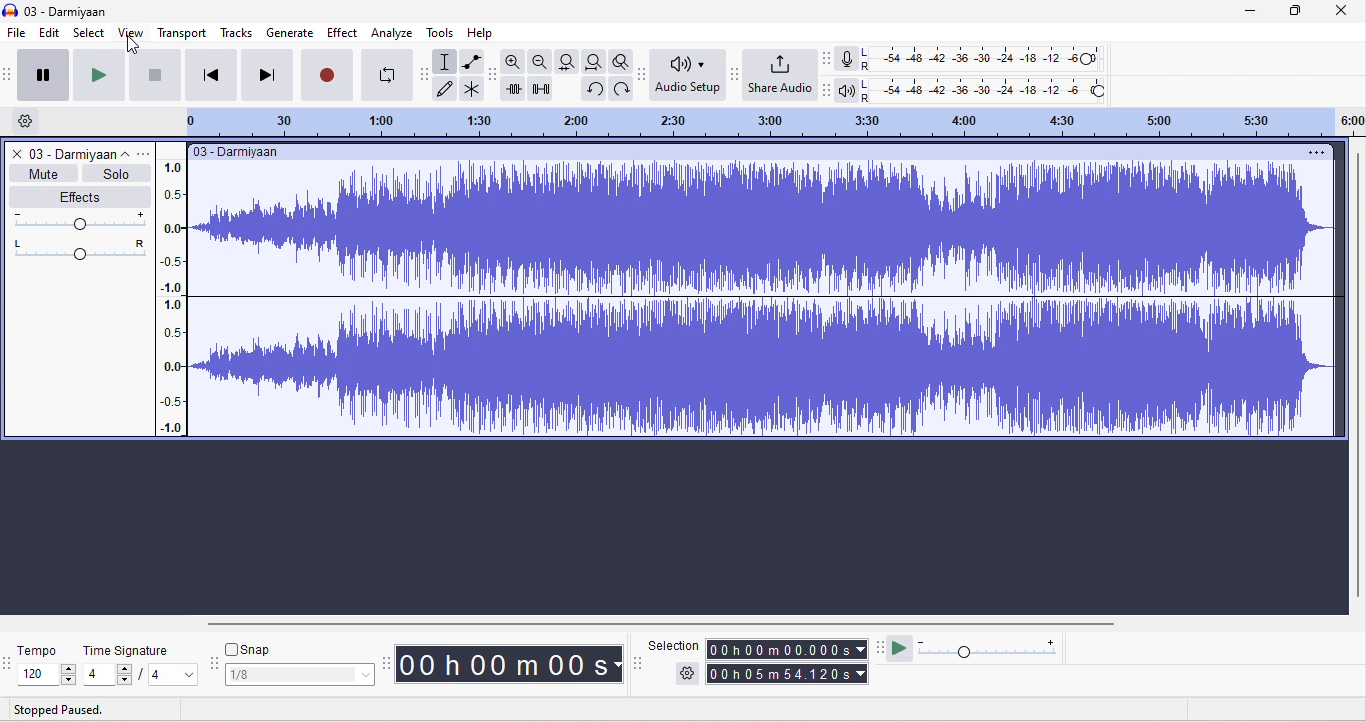 Image resolution: width=1366 pixels, height=722 pixels. I want to click on transport, so click(182, 34).